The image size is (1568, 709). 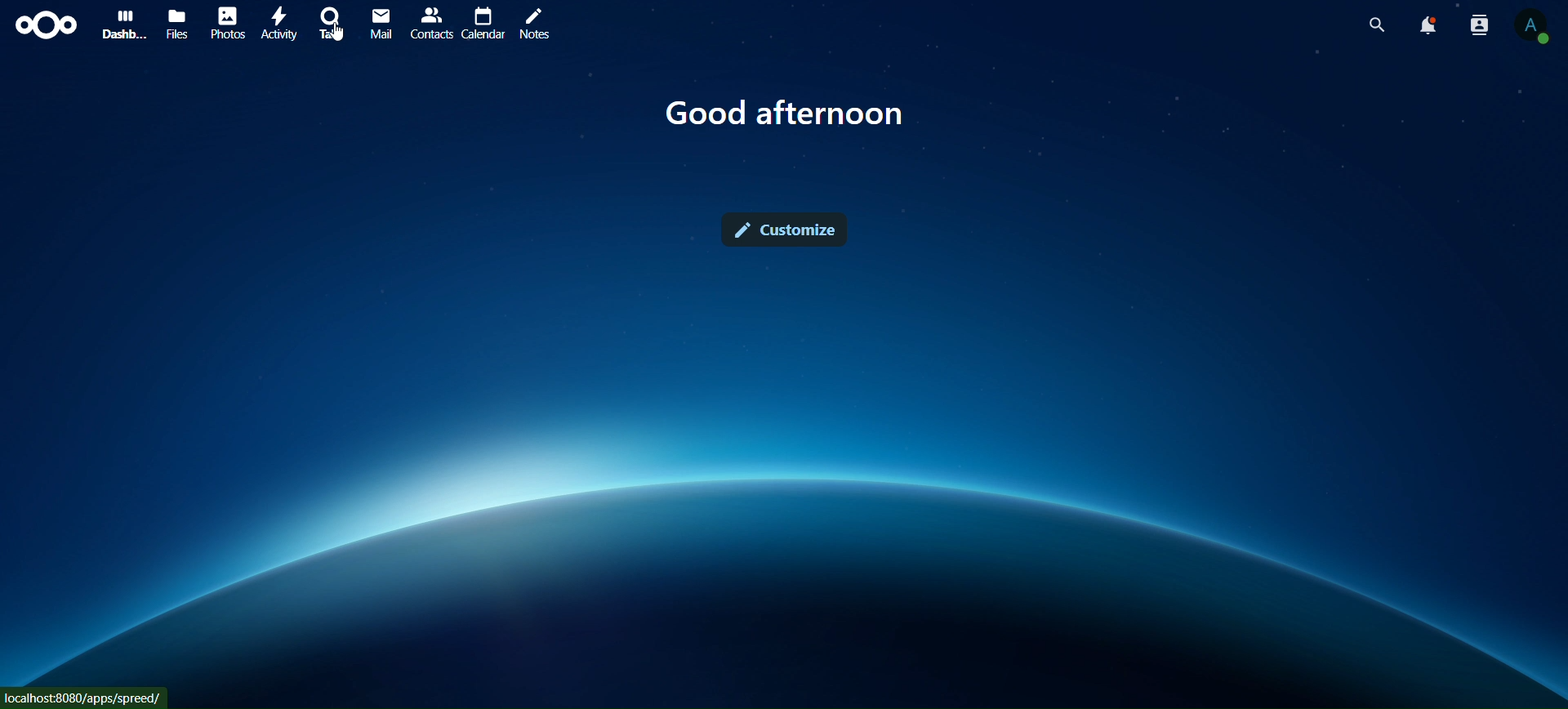 I want to click on files, so click(x=177, y=22).